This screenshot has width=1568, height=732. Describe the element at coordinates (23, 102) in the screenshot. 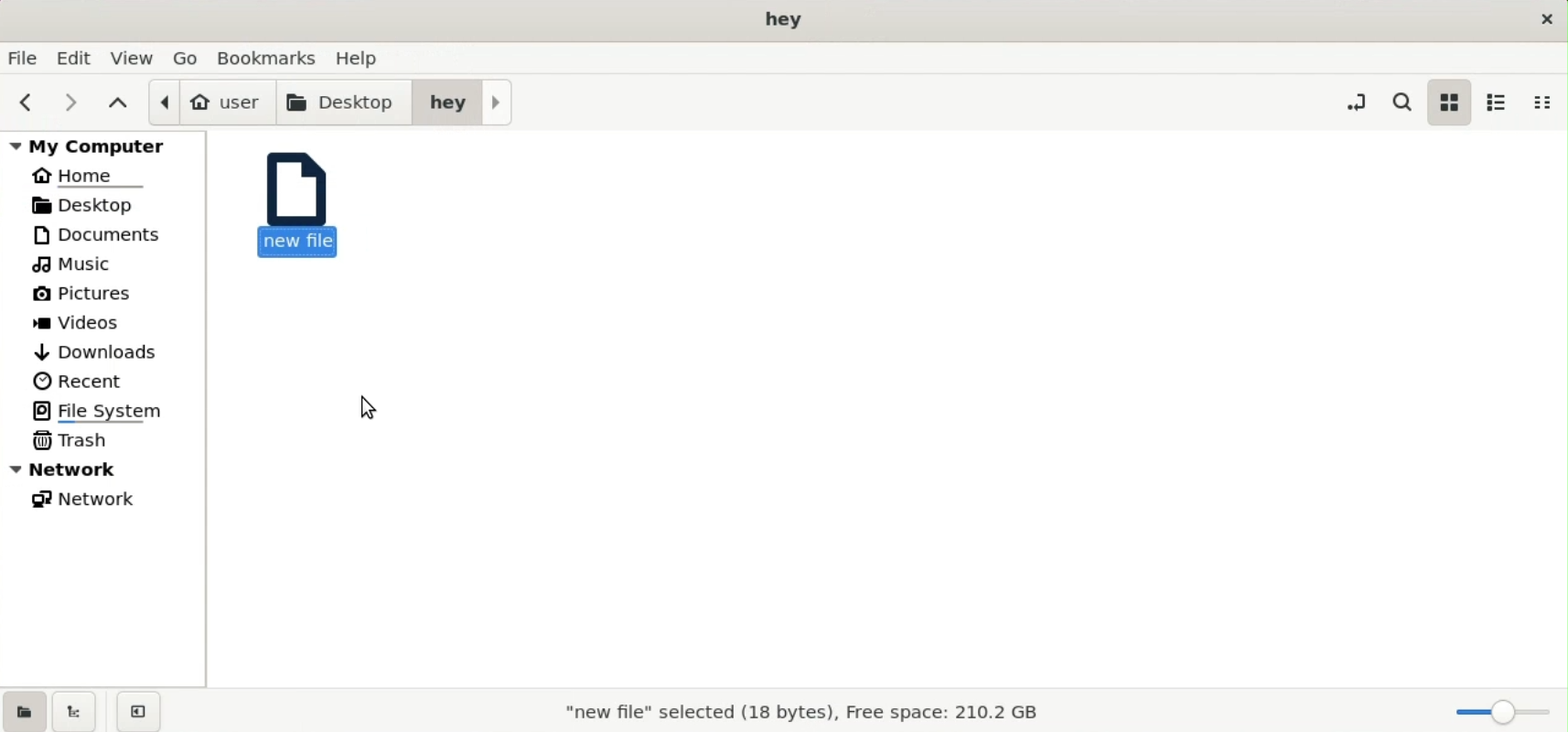

I see `previous` at that location.